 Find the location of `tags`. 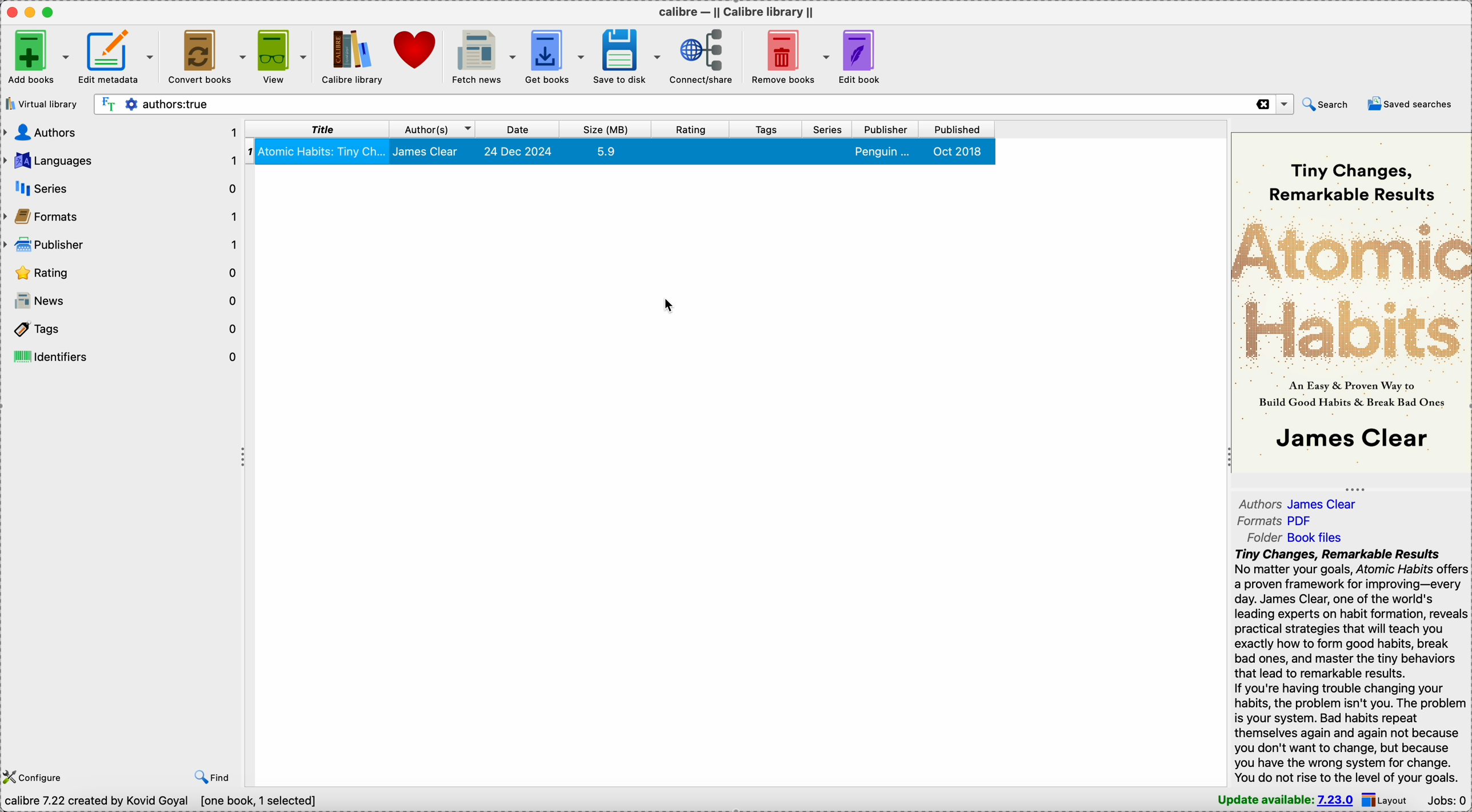

tags is located at coordinates (765, 129).